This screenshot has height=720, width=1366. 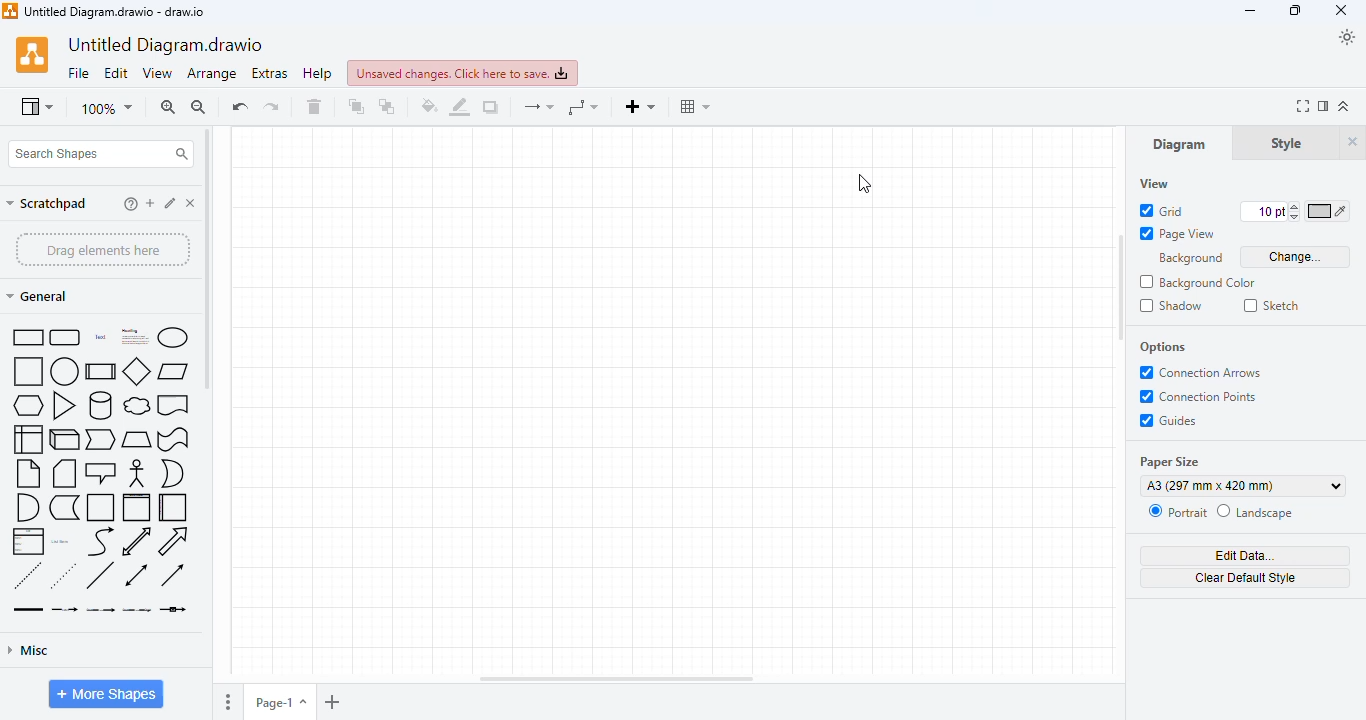 I want to click on vertical scroll bar, so click(x=207, y=258).